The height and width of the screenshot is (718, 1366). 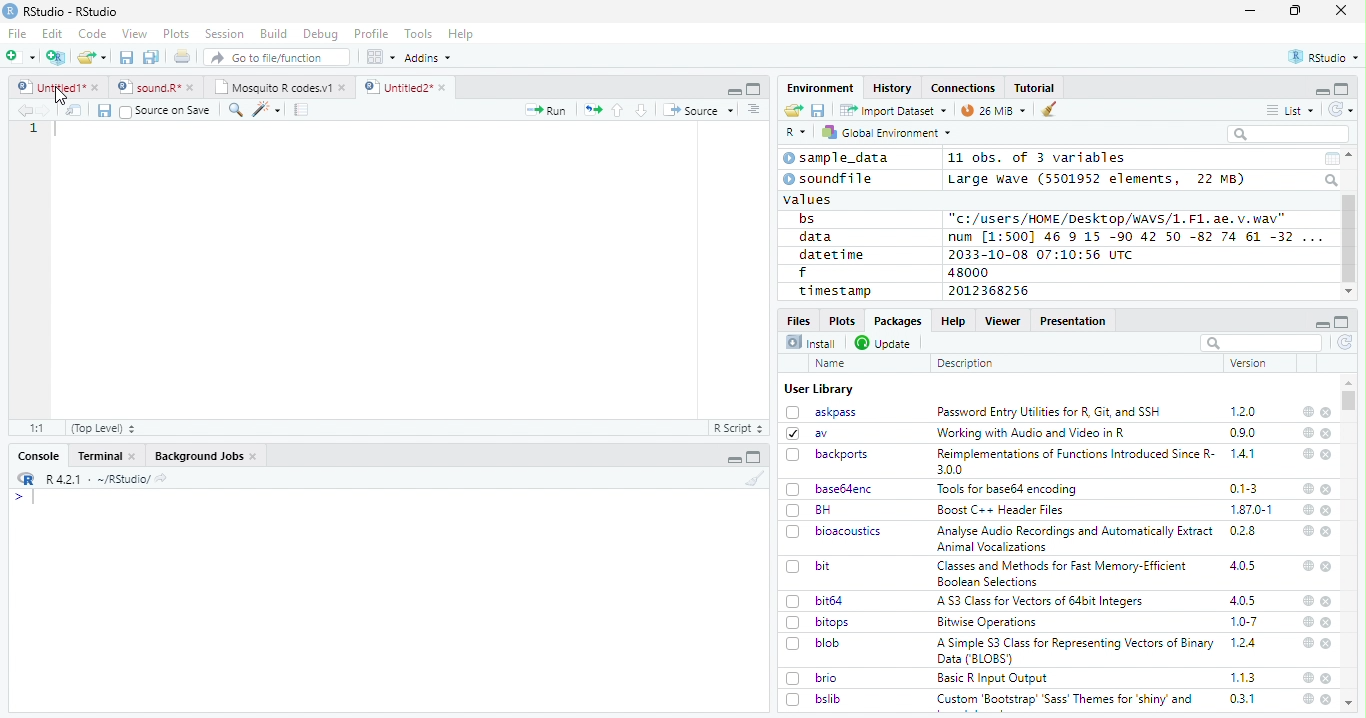 I want to click on Search, so click(x=1333, y=180).